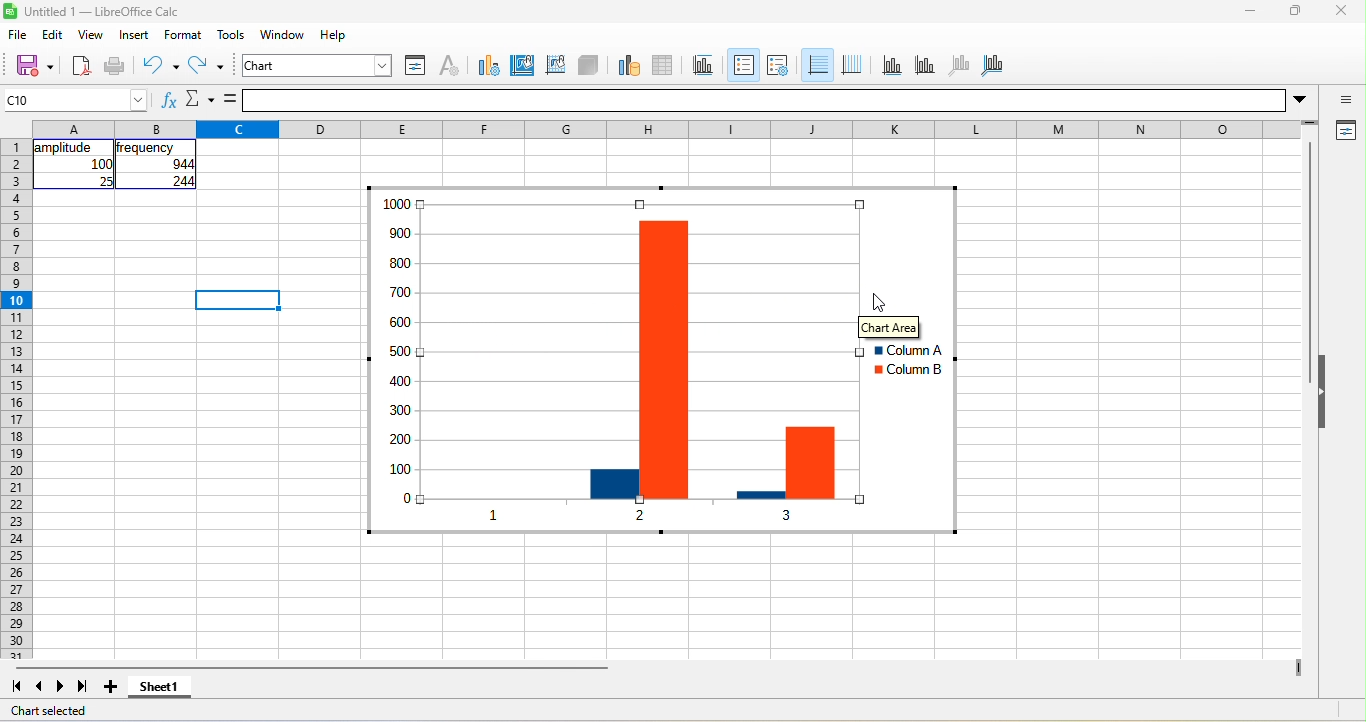 The image size is (1366, 722). What do you see at coordinates (76, 100) in the screenshot?
I see `C10` at bounding box center [76, 100].